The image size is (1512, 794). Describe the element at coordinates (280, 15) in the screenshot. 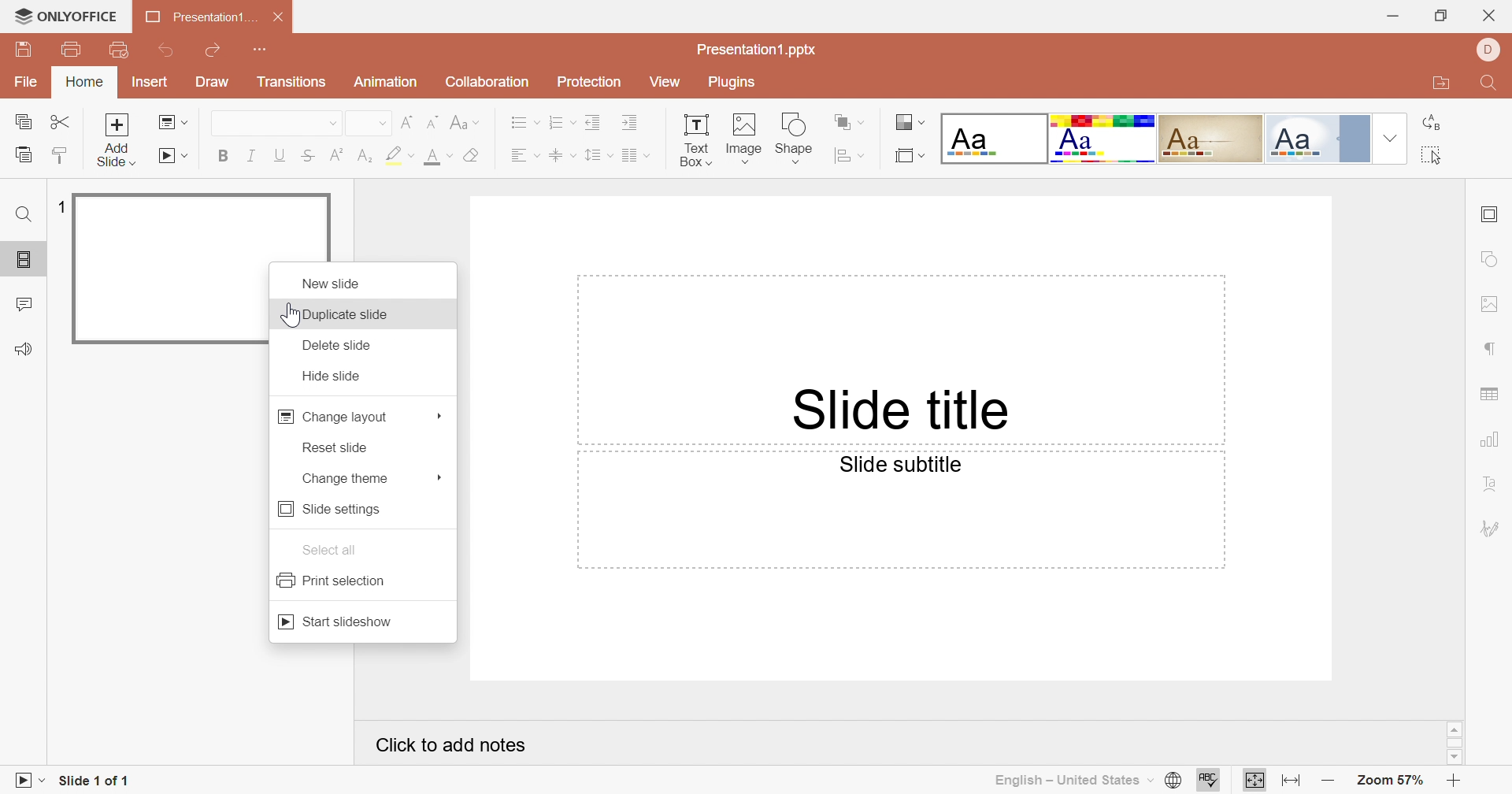

I see `Close` at that location.